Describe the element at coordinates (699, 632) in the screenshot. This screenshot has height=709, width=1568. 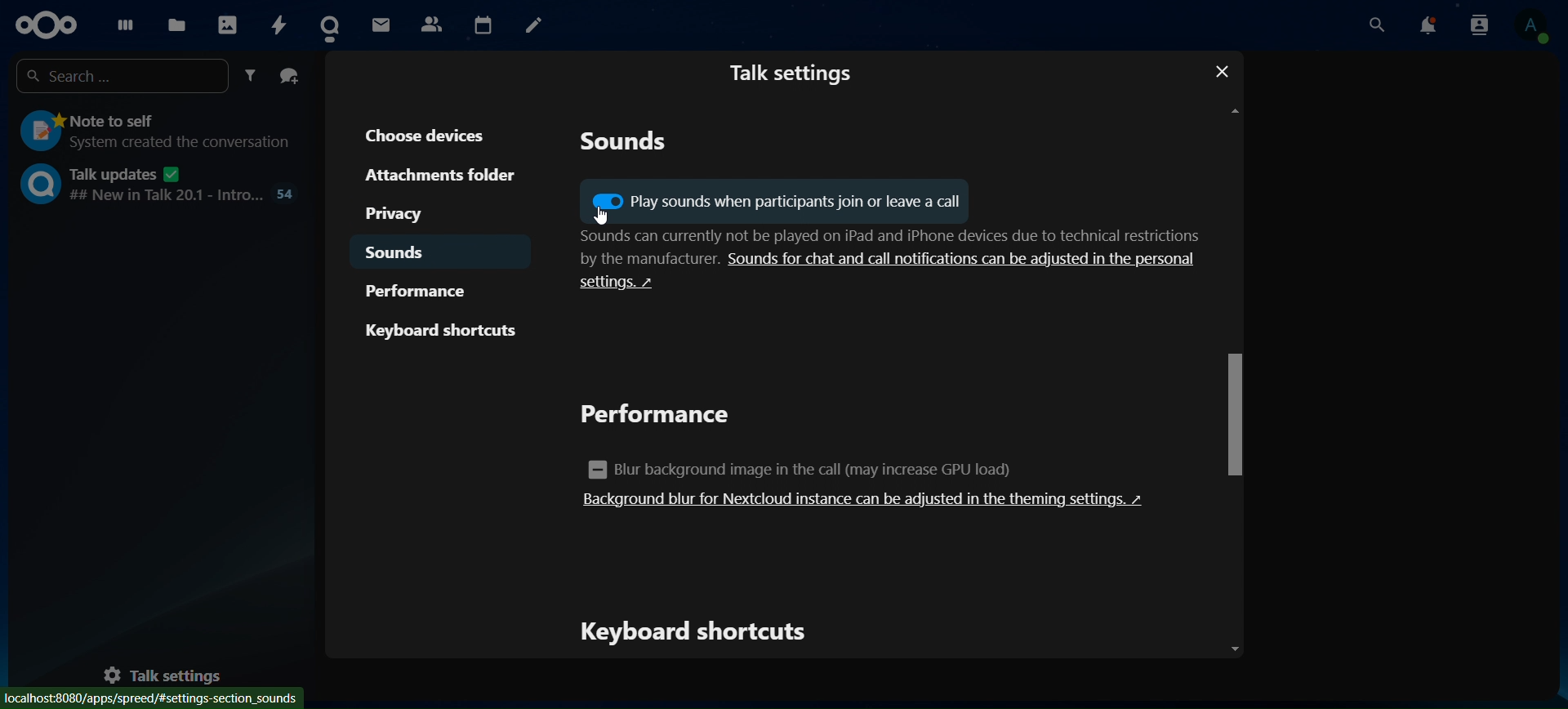
I see `keyboard shortcuts` at that location.